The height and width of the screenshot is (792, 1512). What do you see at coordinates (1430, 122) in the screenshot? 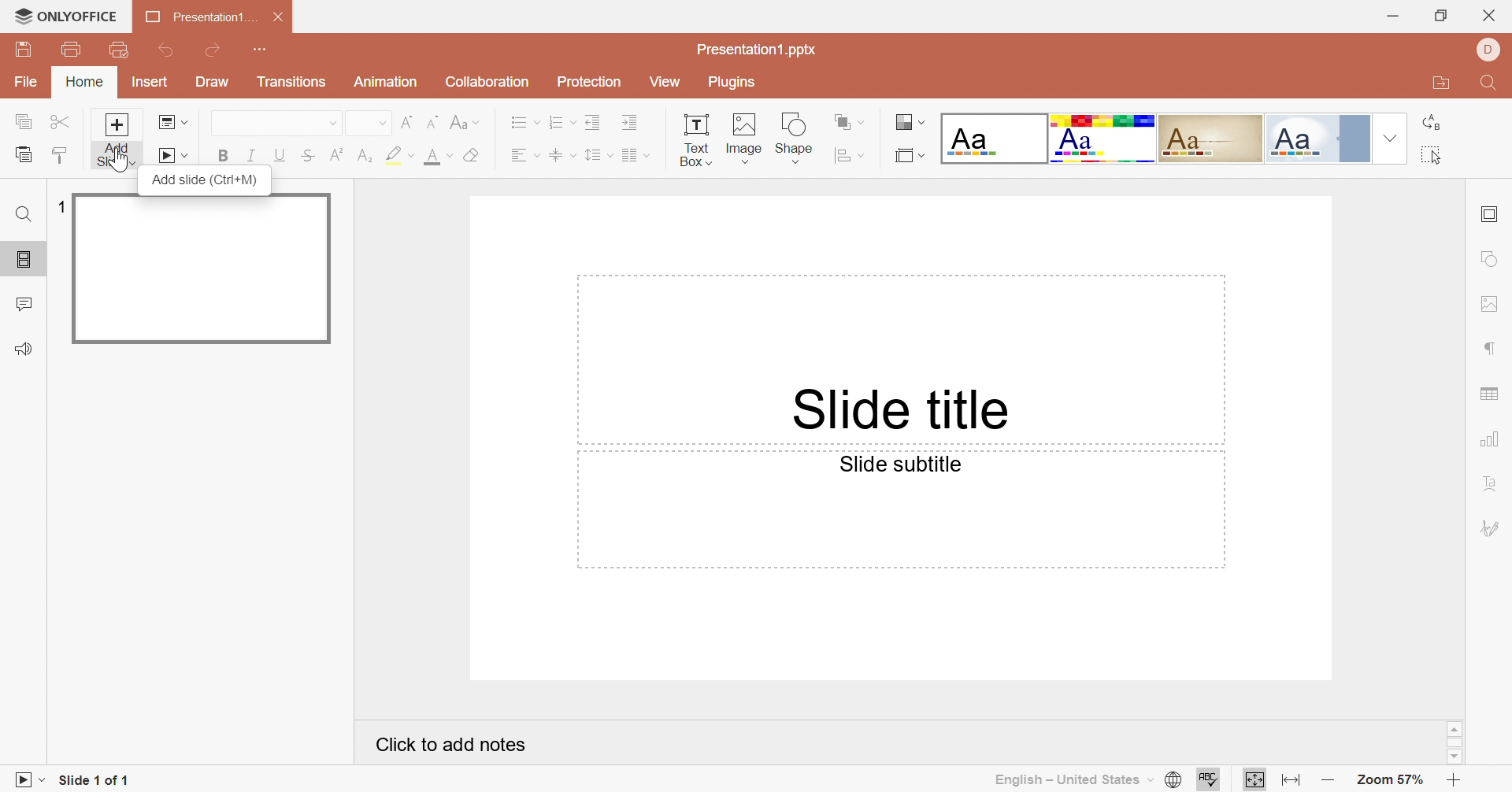
I see `Replace` at bounding box center [1430, 122].